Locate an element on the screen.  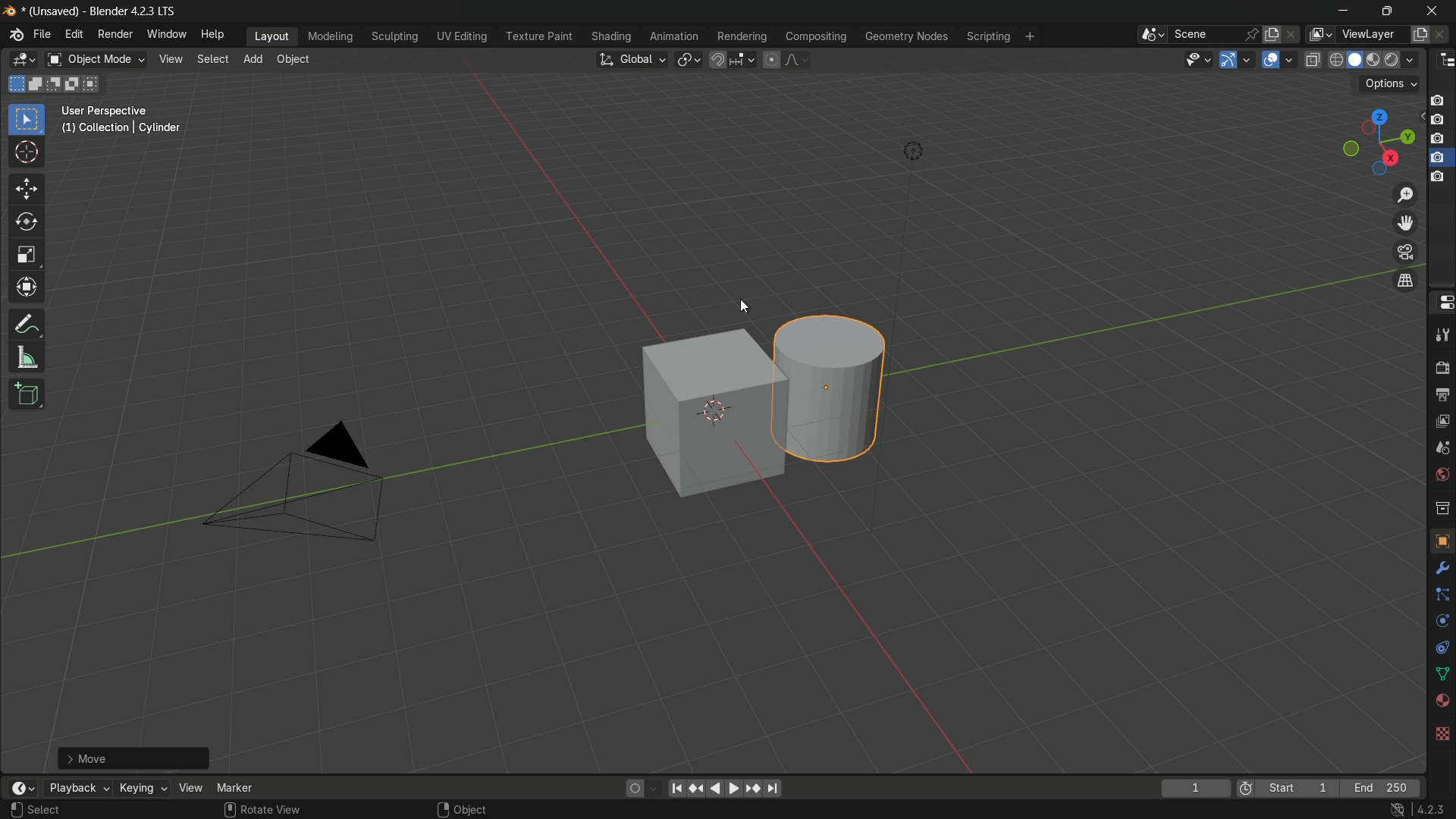
toggle x-ray is located at coordinates (1313, 59).